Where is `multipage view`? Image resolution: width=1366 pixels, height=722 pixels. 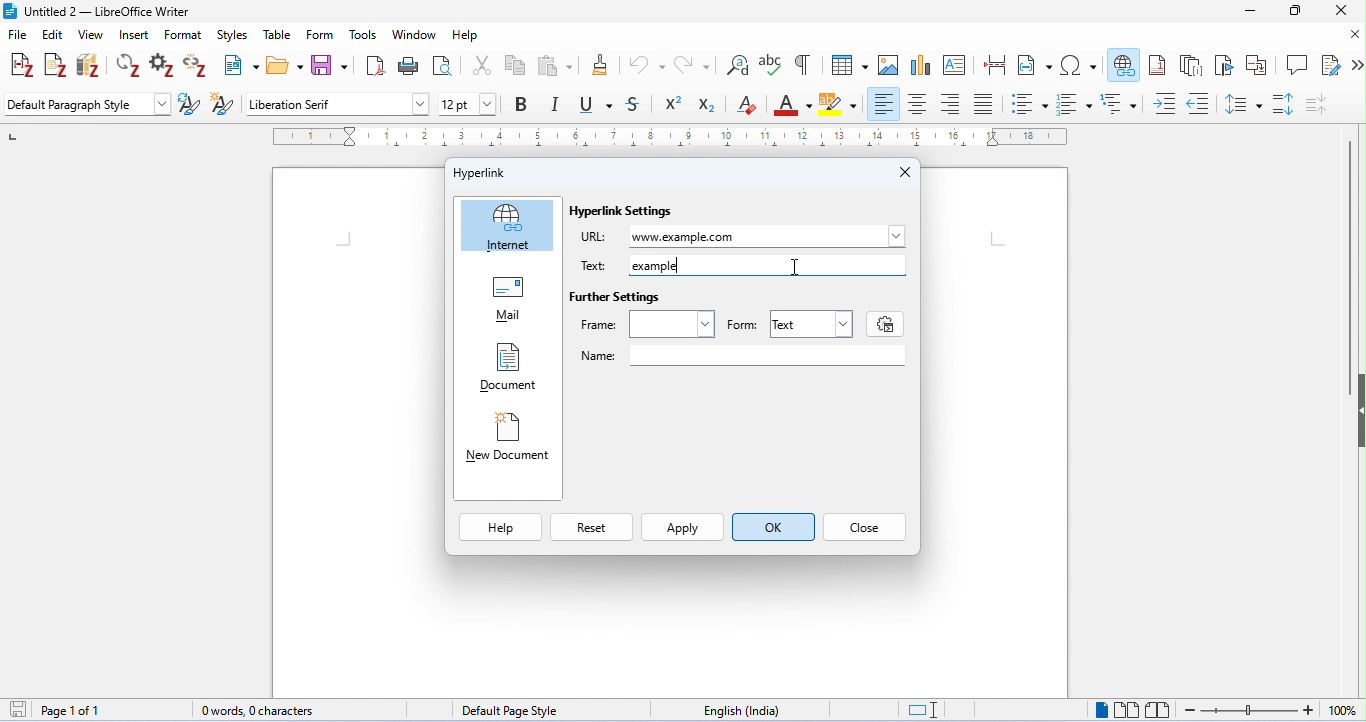 multipage view is located at coordinates (1125, 709).